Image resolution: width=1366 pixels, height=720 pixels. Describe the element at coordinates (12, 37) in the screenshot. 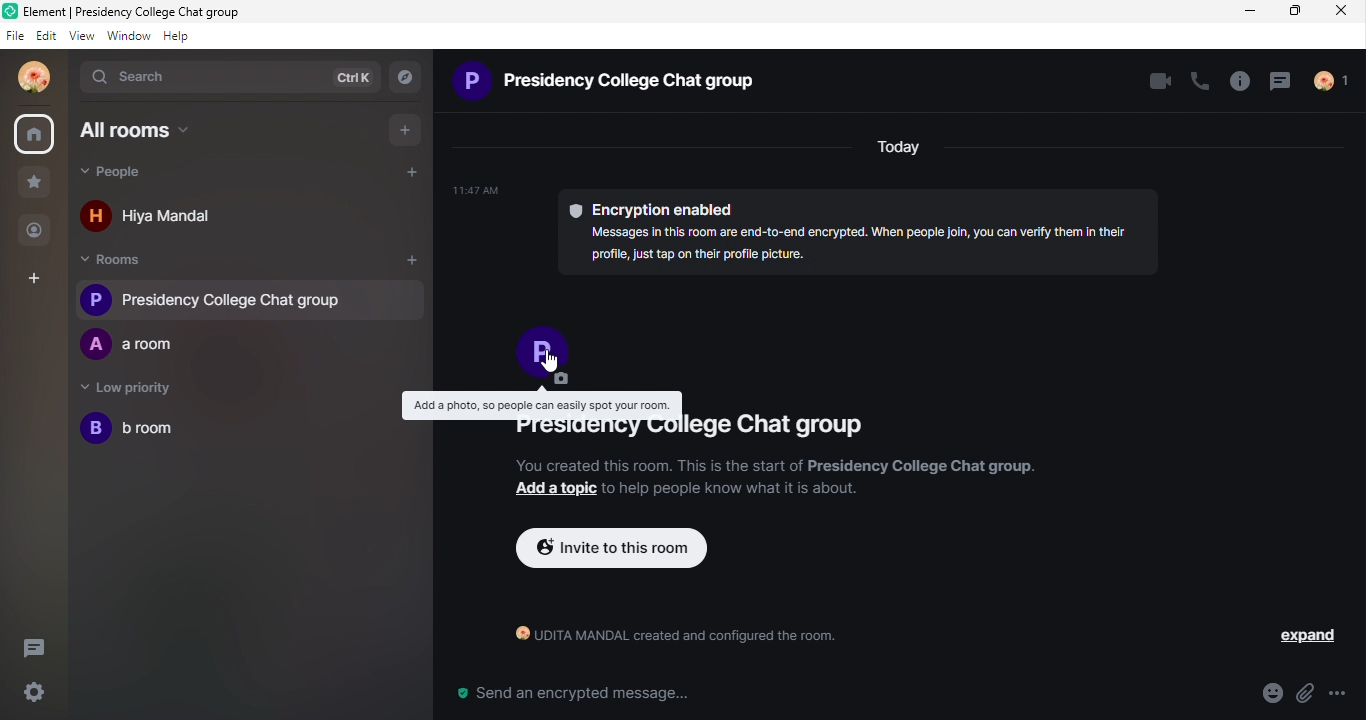

I see `file` at that location.